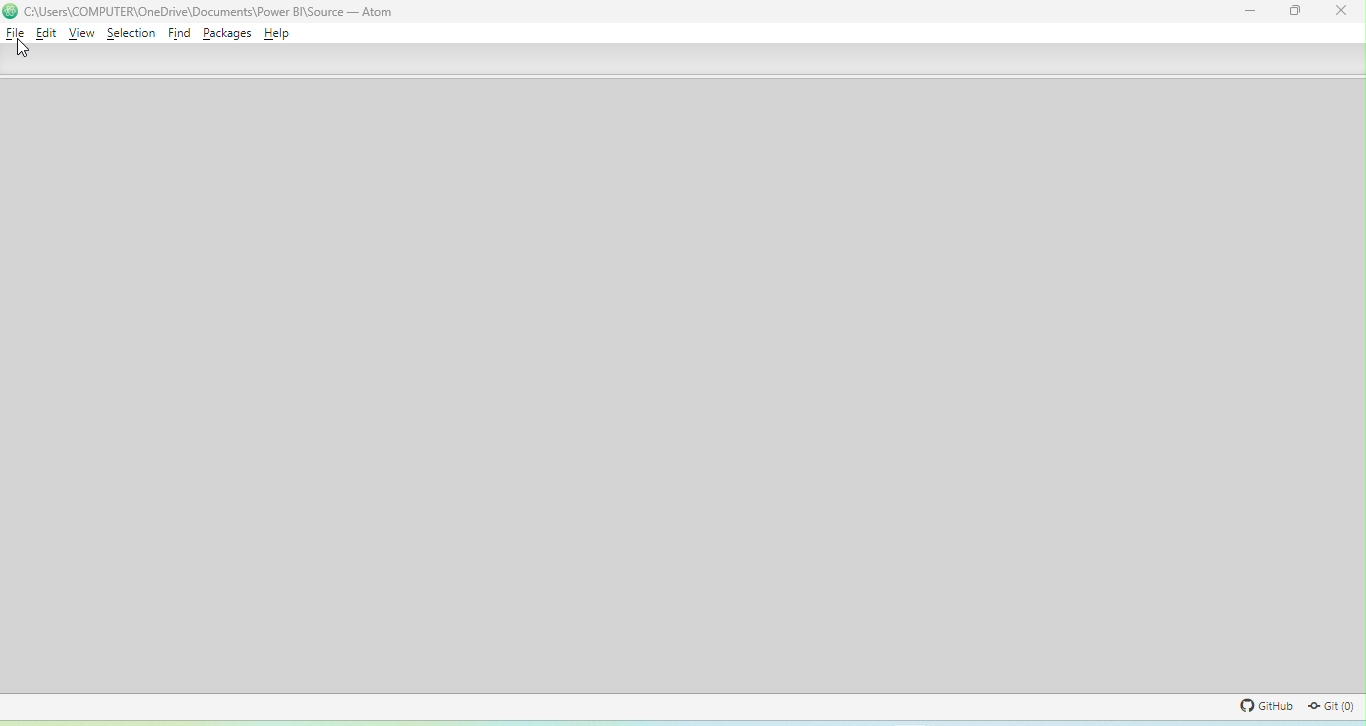 This screenshot has width=1366, height=726. What do you see at coordinates (1294, 12) in the screenshot?
I see `maximize or restore` at bounding box center [1294, 12].